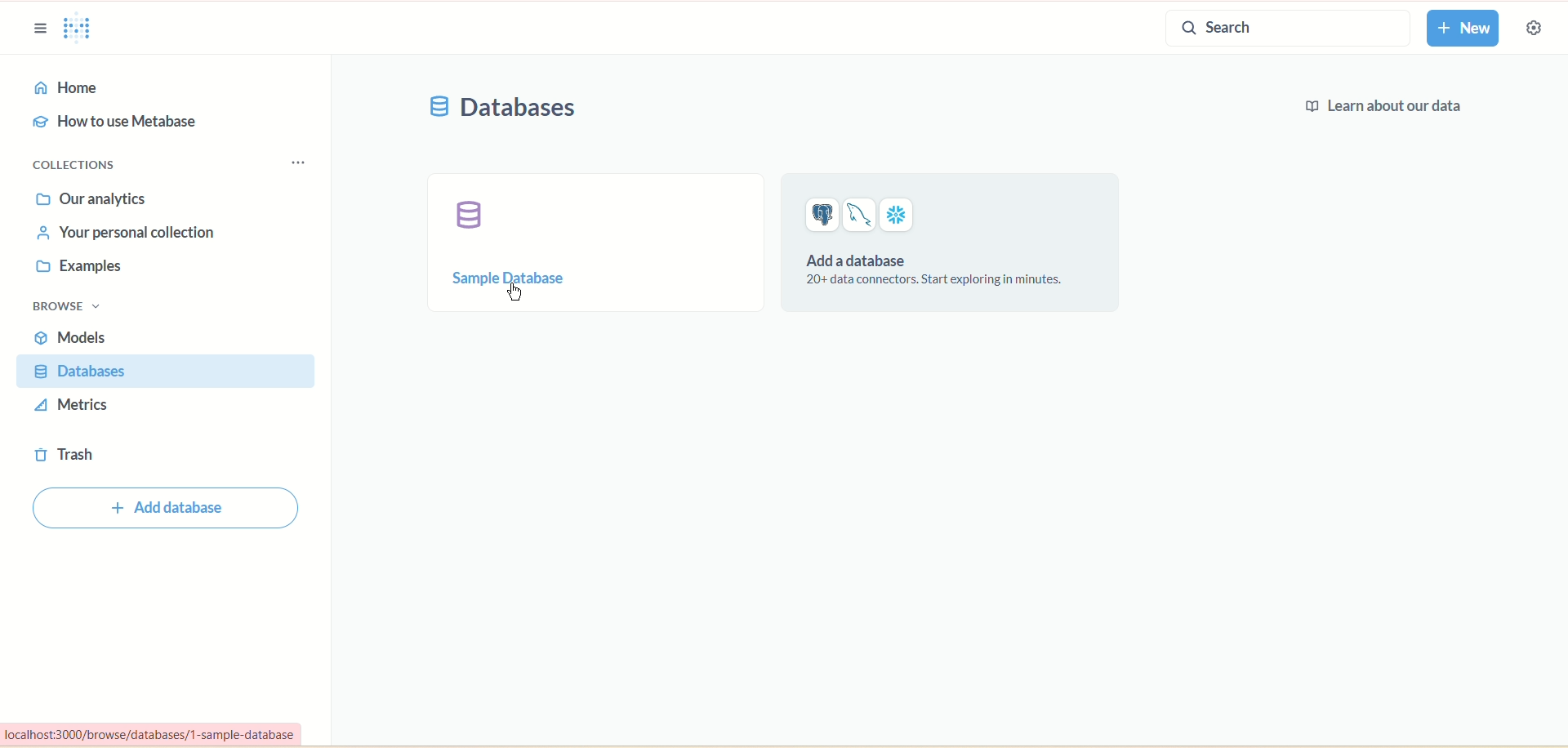 This screenshot has height=748, width=1568. What do you see at coordinates (114, 122) in the screenshot?
I see `how to use metabase` at bounding box center [114, 122].